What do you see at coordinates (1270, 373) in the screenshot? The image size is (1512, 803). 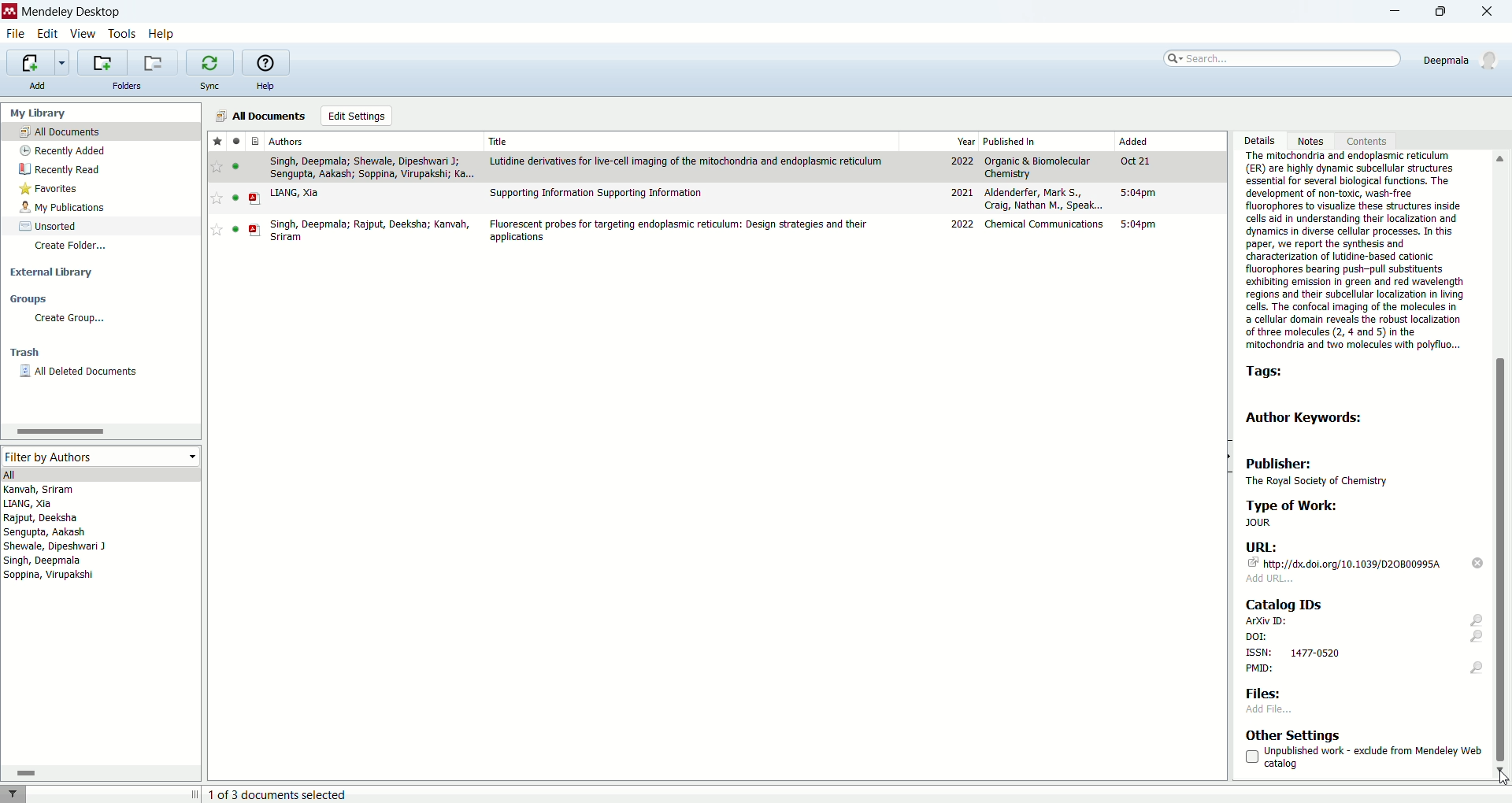 I see `tags: ` at bounding box center [1270, 373].